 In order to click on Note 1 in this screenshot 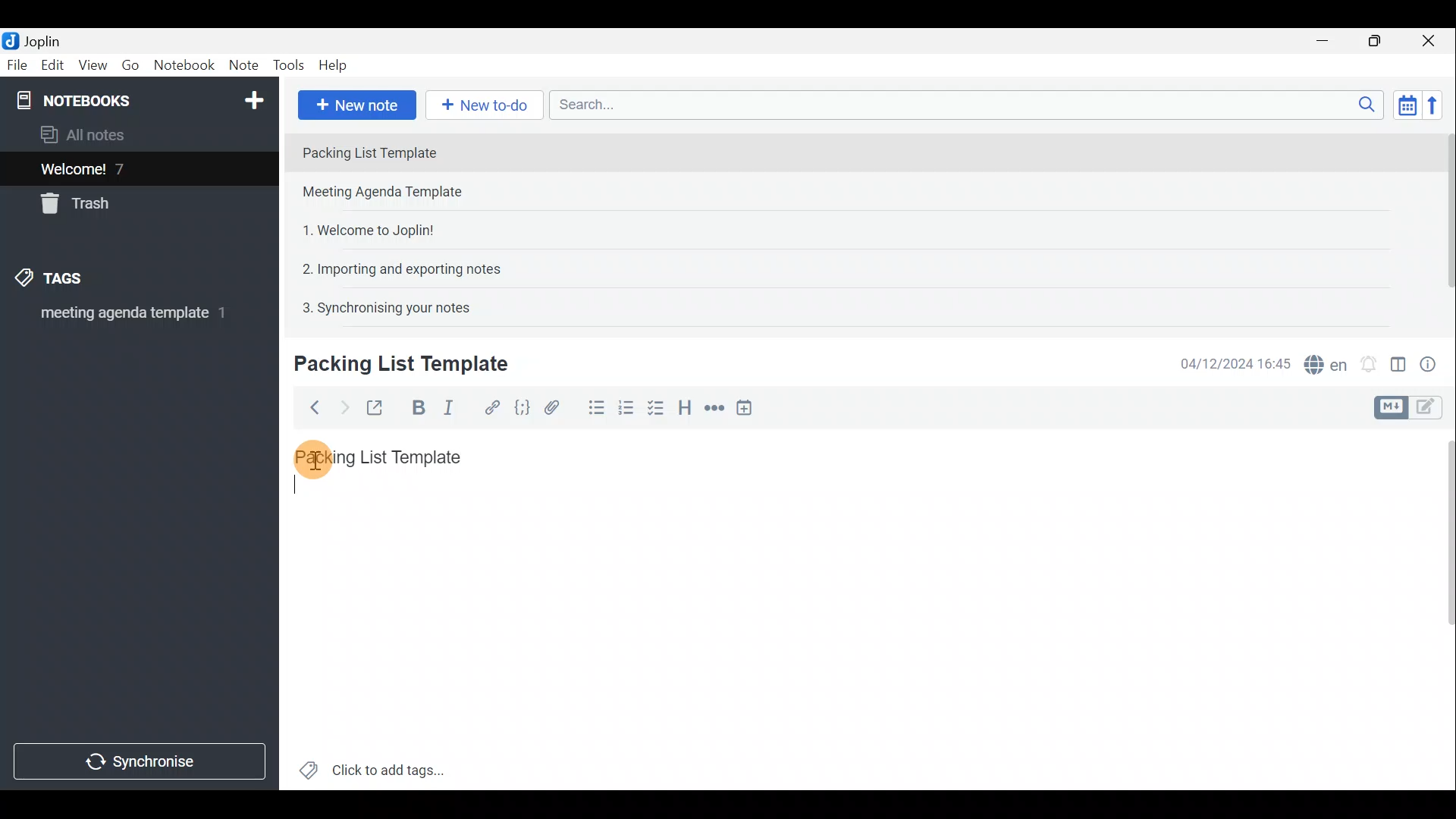, I will do `click(424, 151)`.